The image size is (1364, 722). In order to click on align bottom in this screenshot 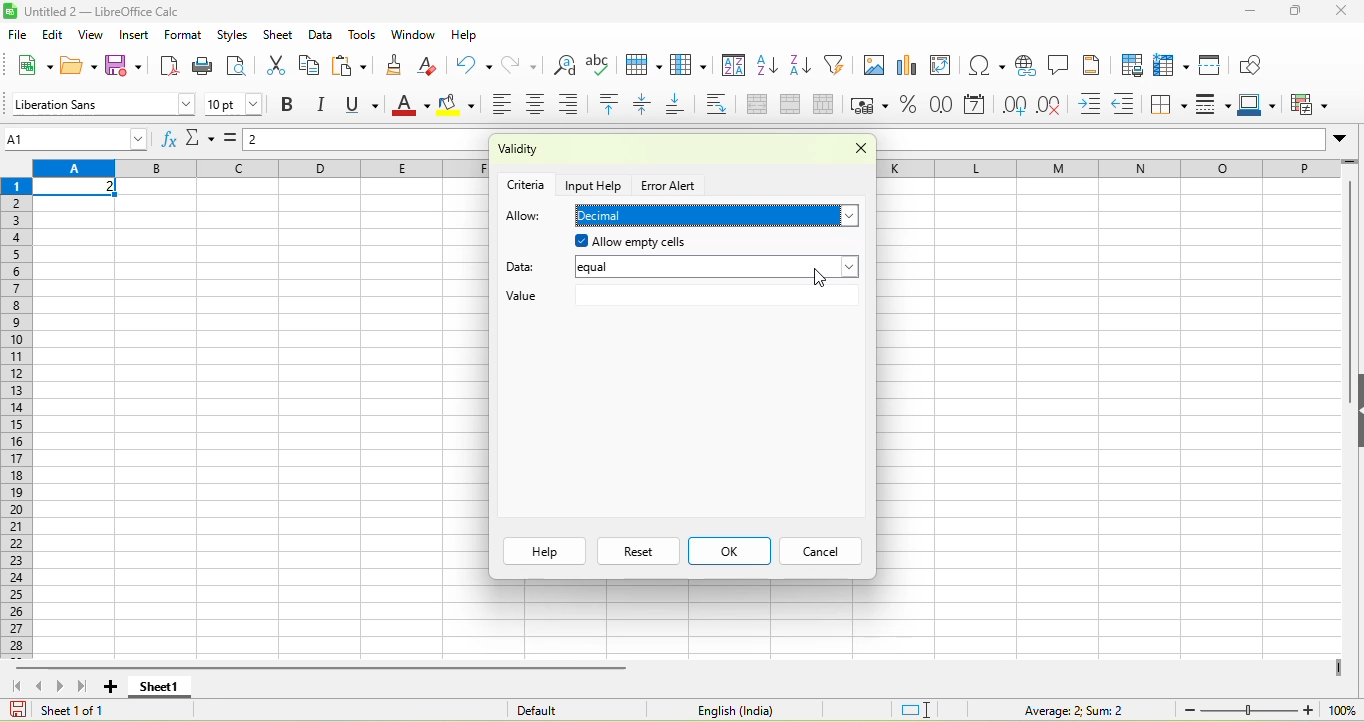, I will do `click(682, 106)`.